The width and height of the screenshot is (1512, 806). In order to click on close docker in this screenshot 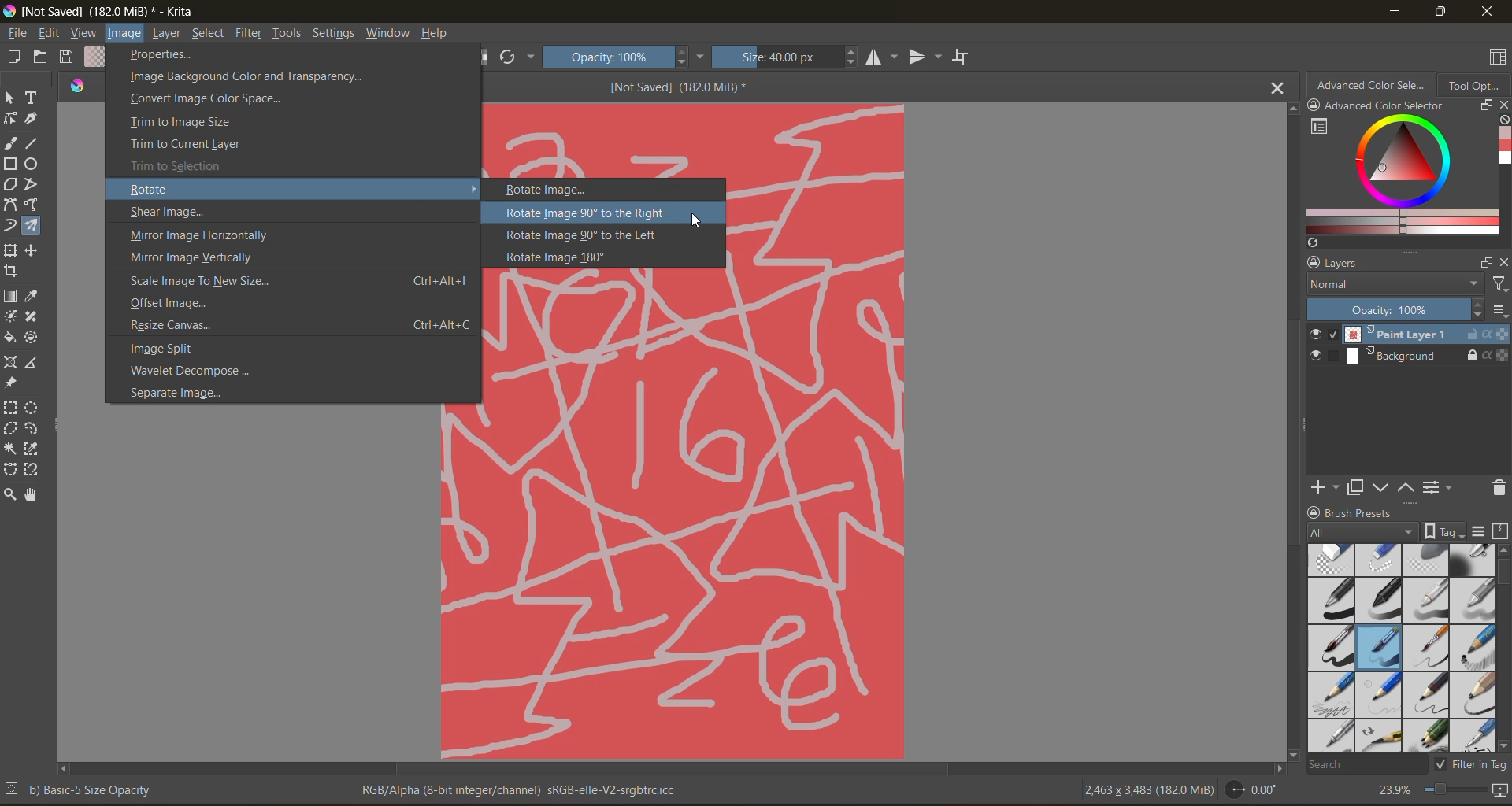, I will do `click(1503, 263)`.